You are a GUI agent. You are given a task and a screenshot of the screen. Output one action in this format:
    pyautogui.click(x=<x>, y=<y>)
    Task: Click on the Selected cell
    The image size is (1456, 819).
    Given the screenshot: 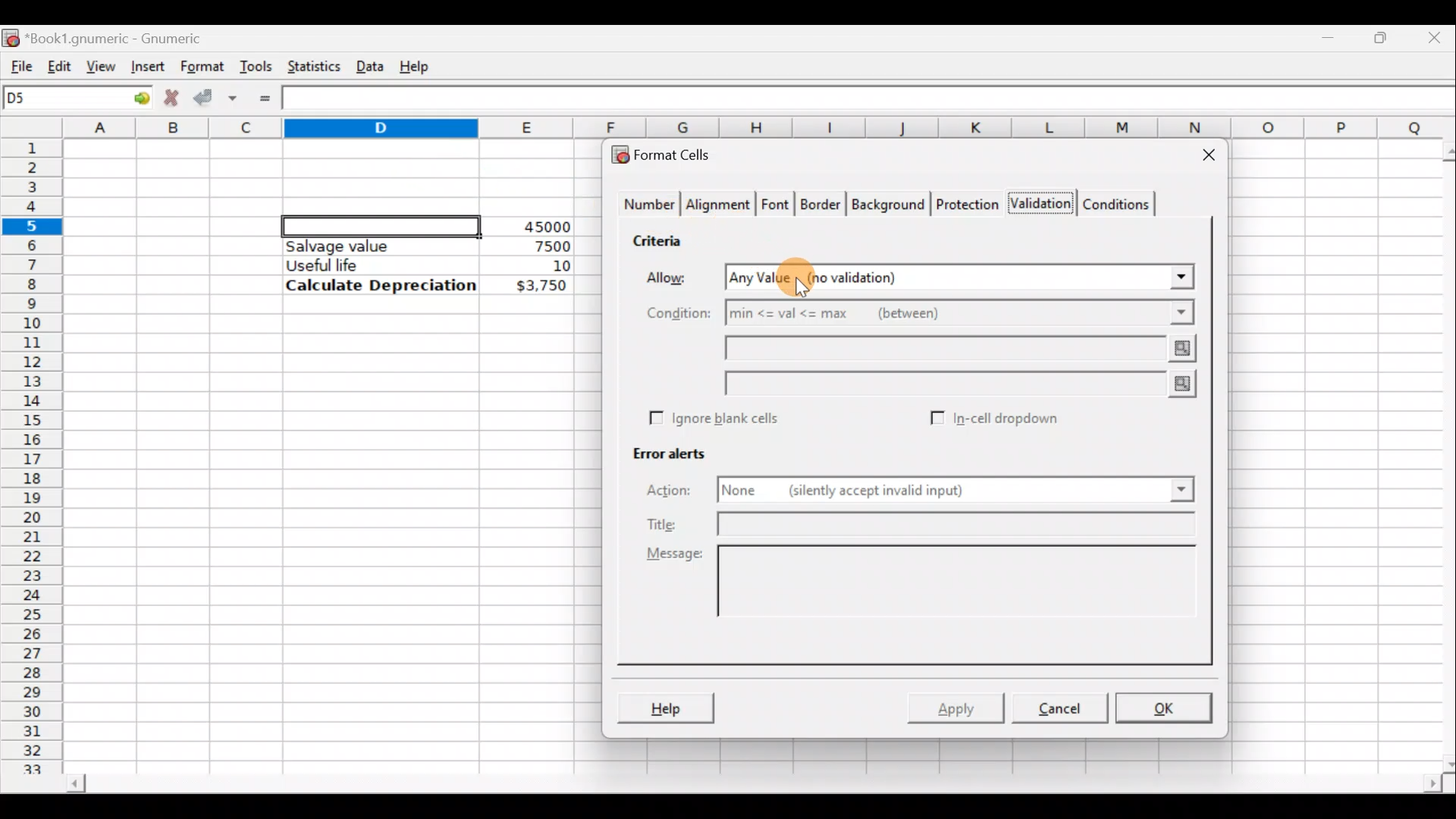 What is the action you would take?
    pyautogui.click(x=381, y=224)
    